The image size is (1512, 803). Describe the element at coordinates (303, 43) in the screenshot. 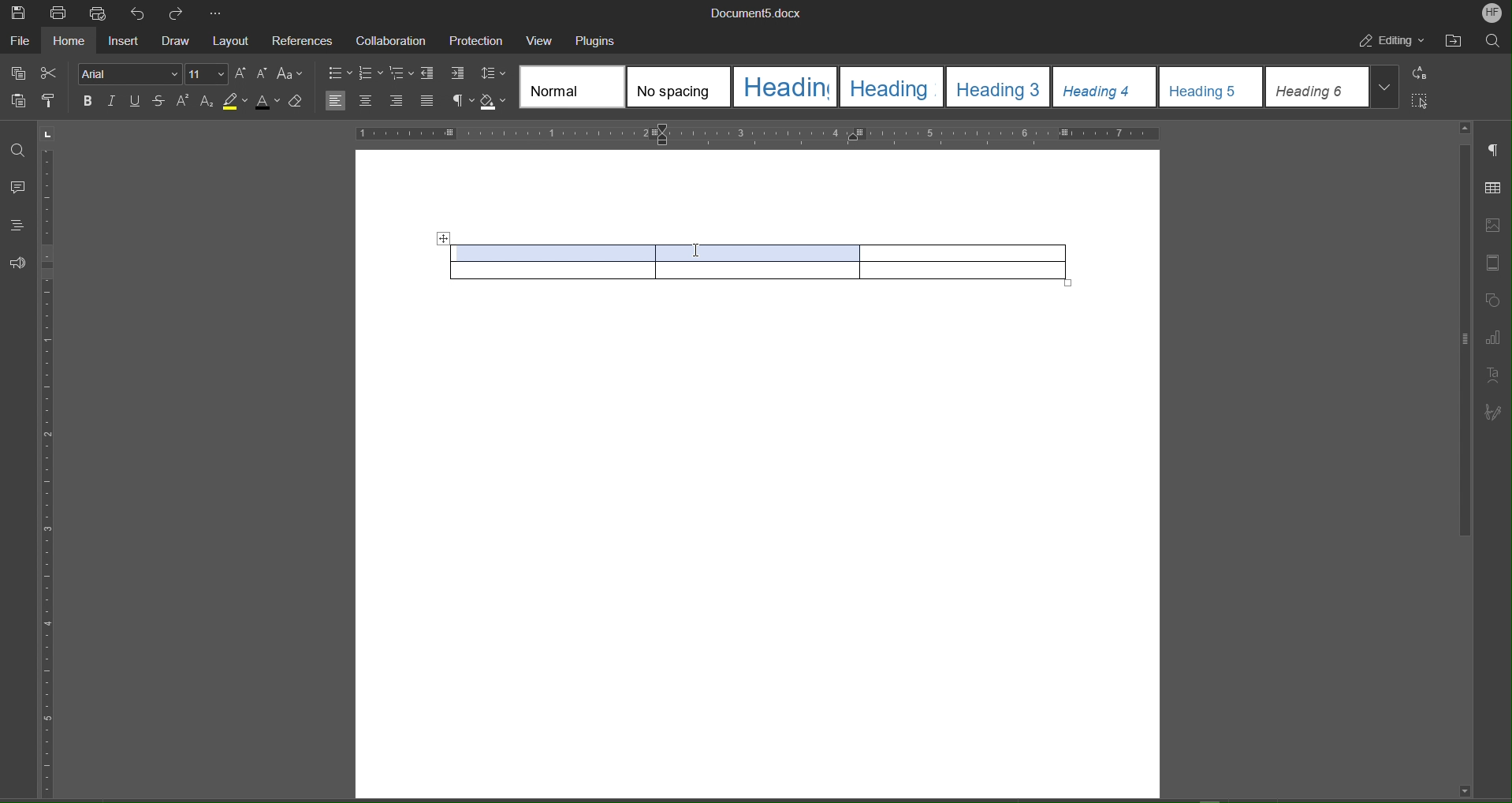

I see `References` at that location.